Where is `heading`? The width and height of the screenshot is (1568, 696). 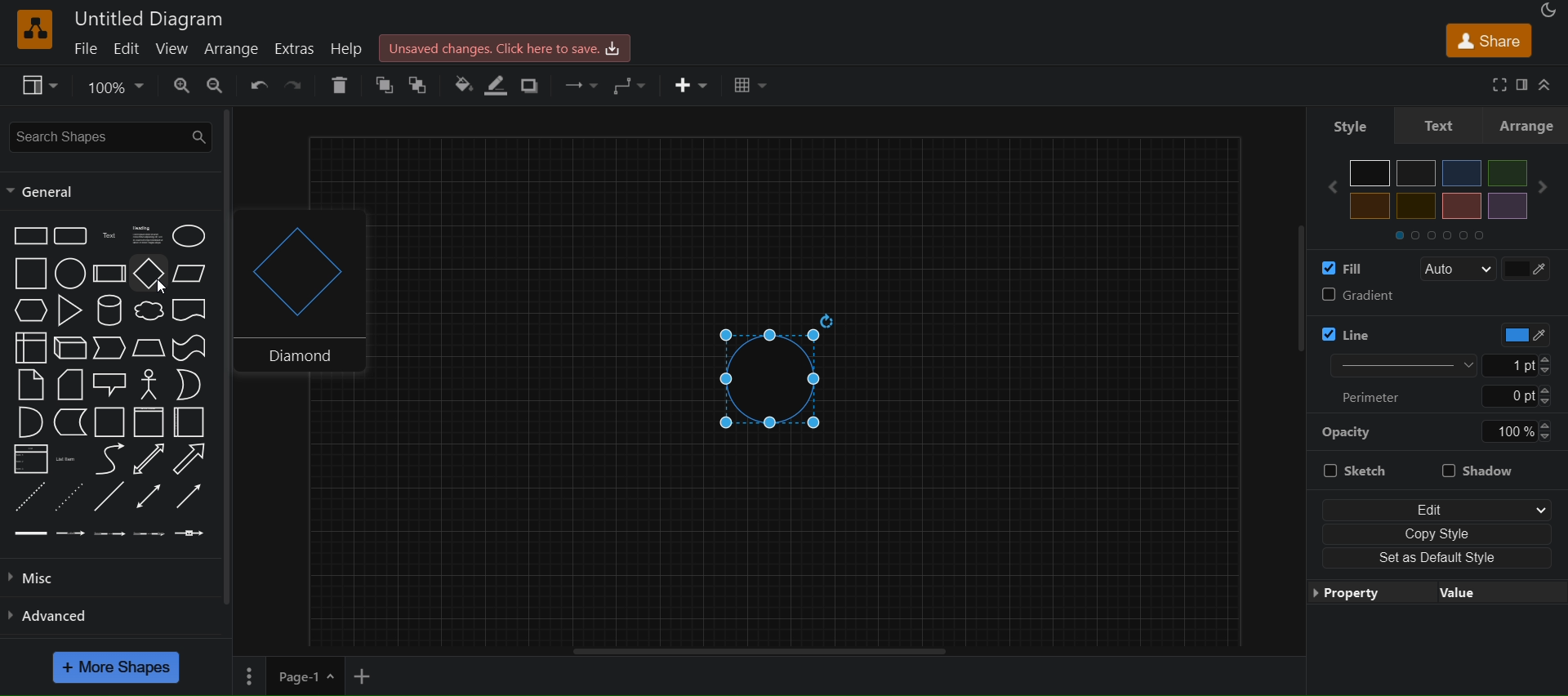
heading is located at coordinates (149, 235).